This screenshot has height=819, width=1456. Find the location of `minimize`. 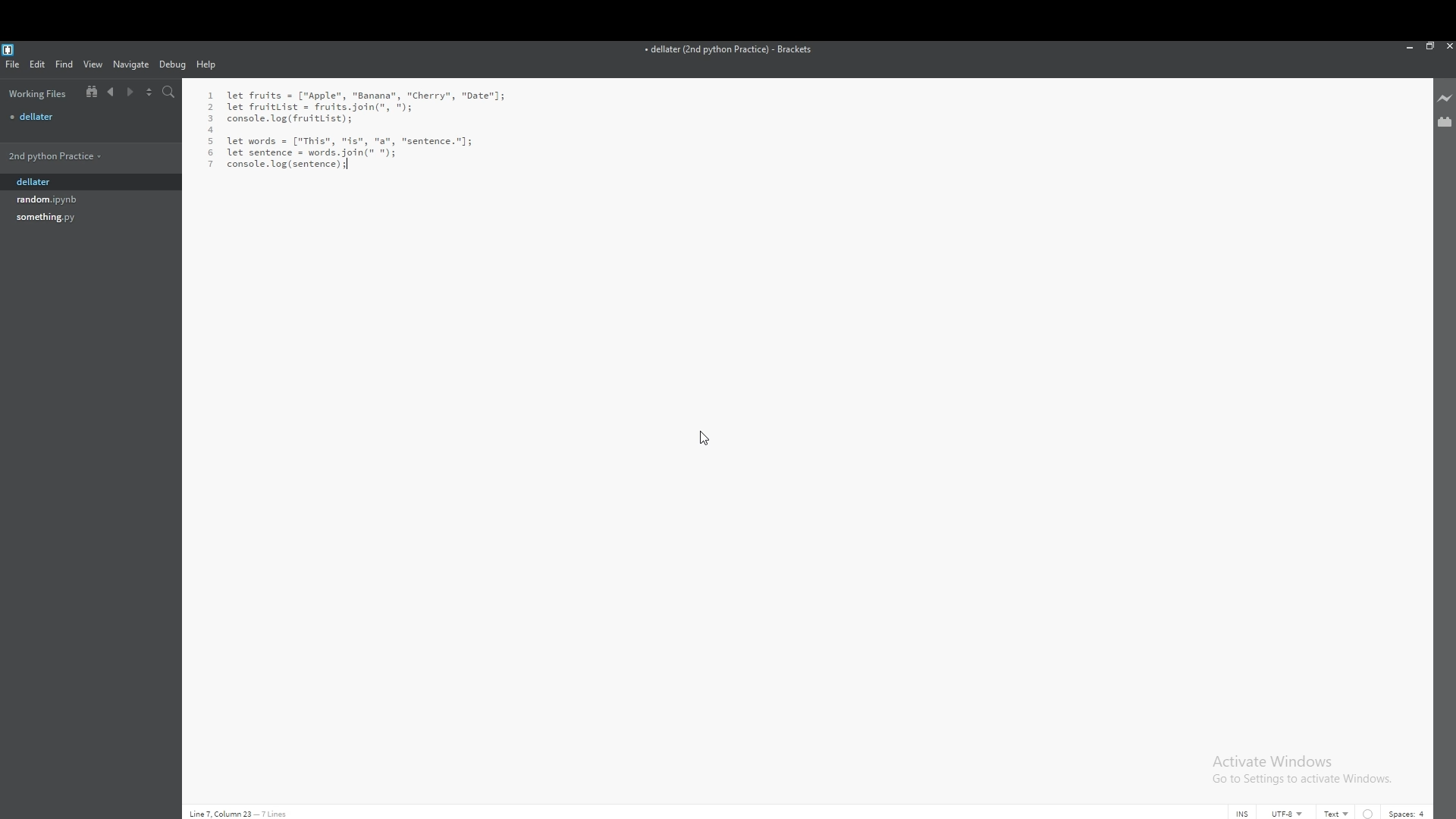

minimize is located at coordinates (1410, 46).